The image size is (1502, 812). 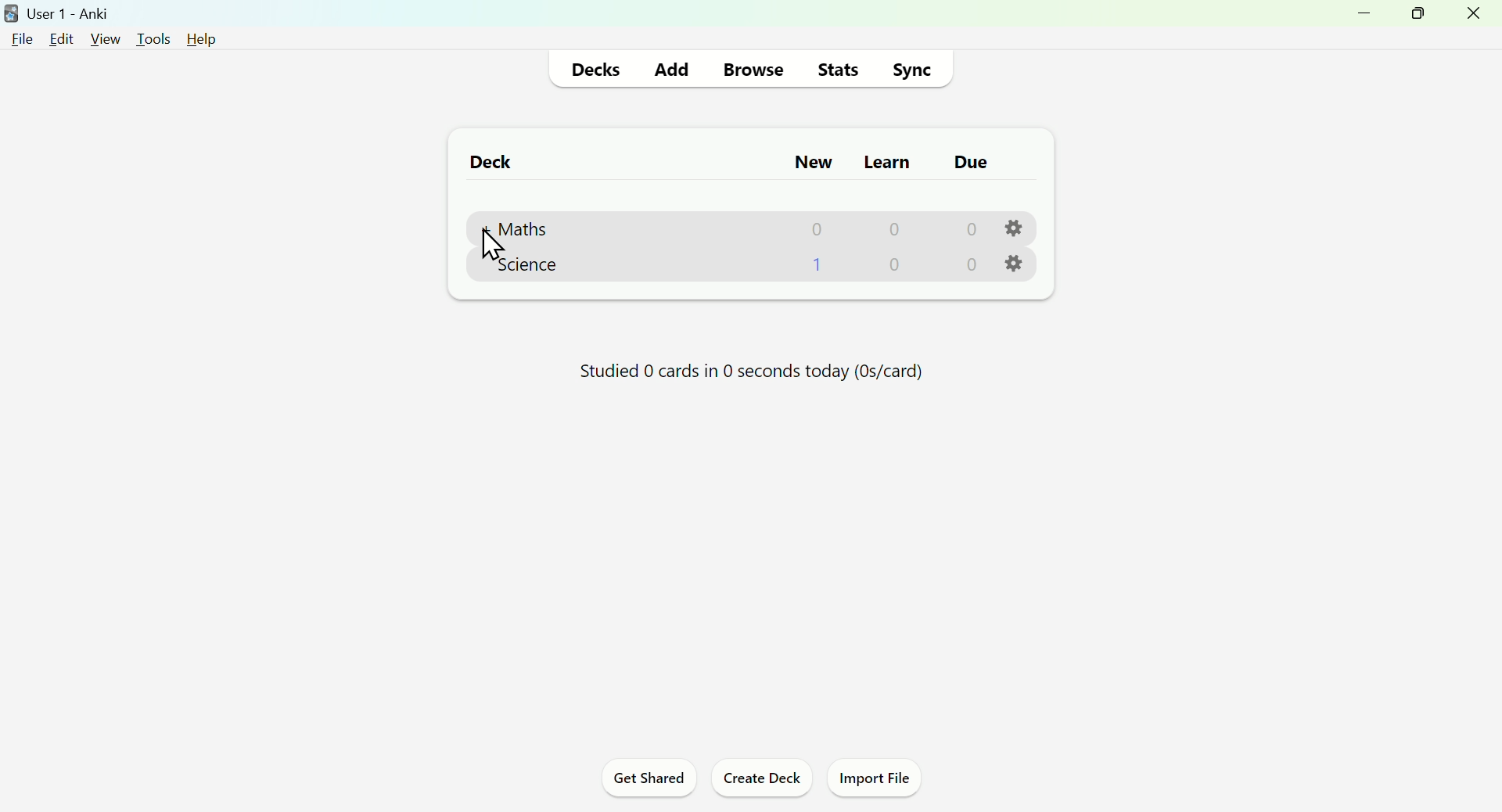 I want to click on Due, so click(x=966, y=162).